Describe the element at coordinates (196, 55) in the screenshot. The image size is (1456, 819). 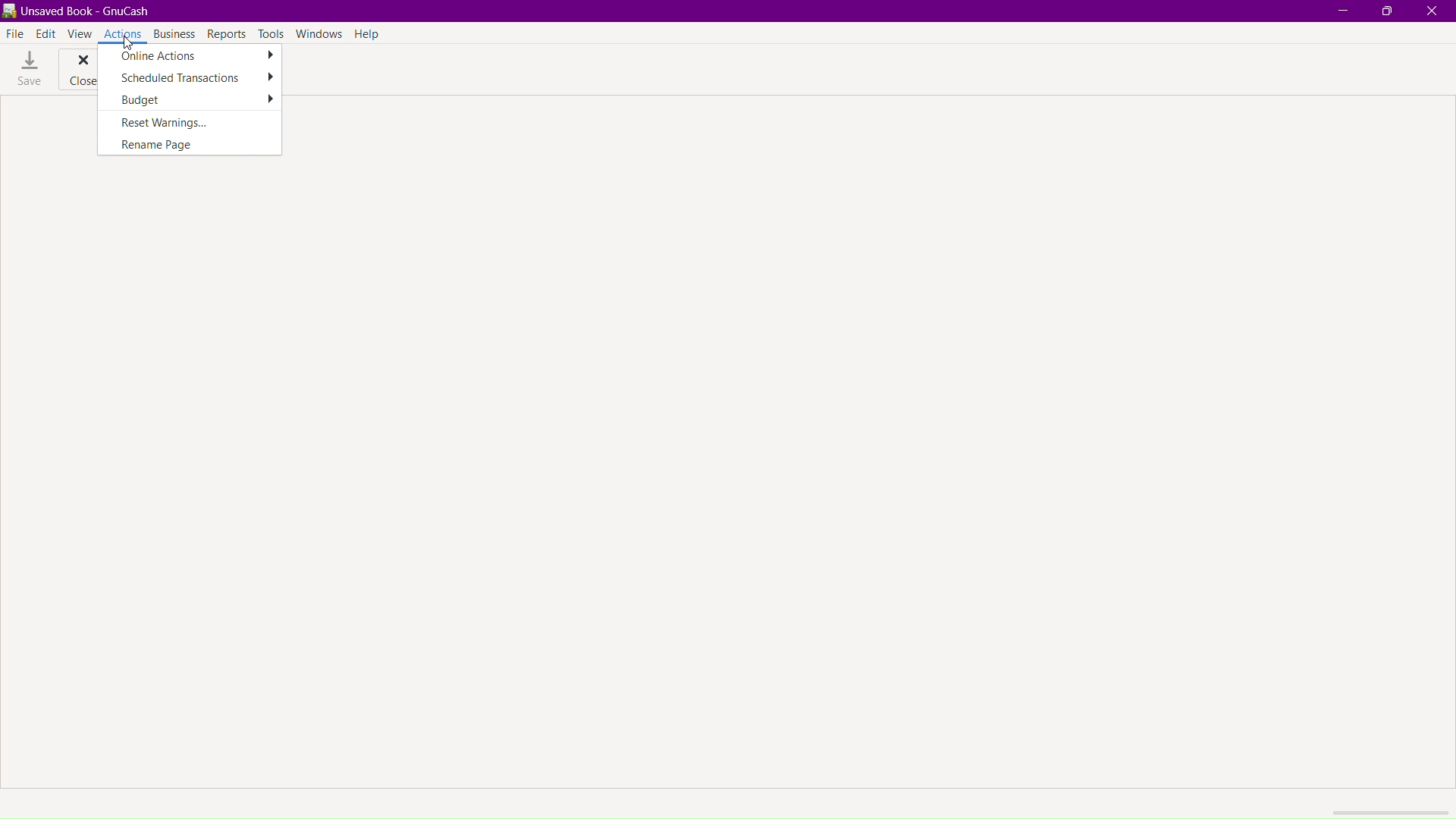
I see `Online Actions` at that location.